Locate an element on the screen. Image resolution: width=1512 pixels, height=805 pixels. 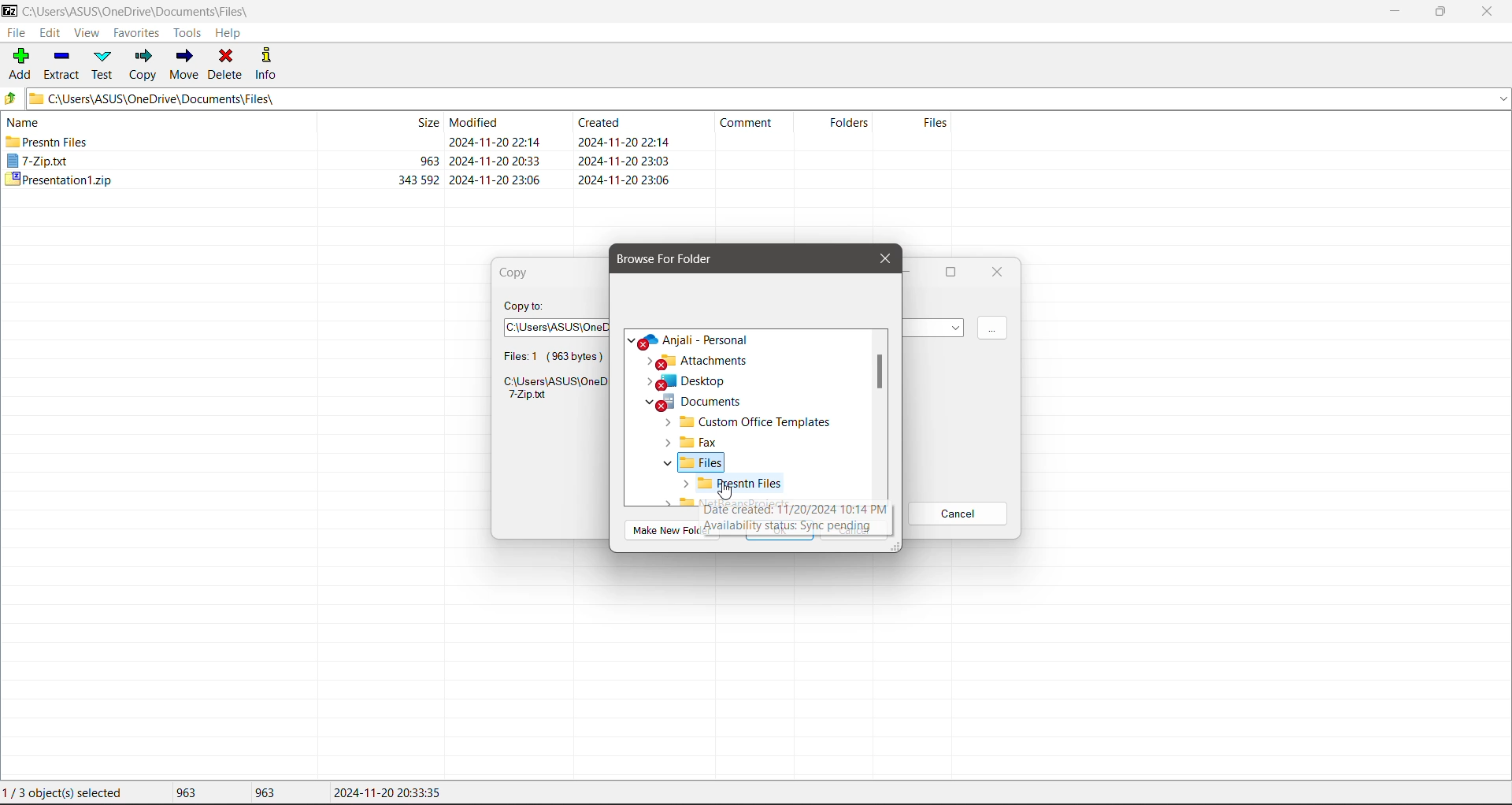
Folders is located at coordinates (843, 128).